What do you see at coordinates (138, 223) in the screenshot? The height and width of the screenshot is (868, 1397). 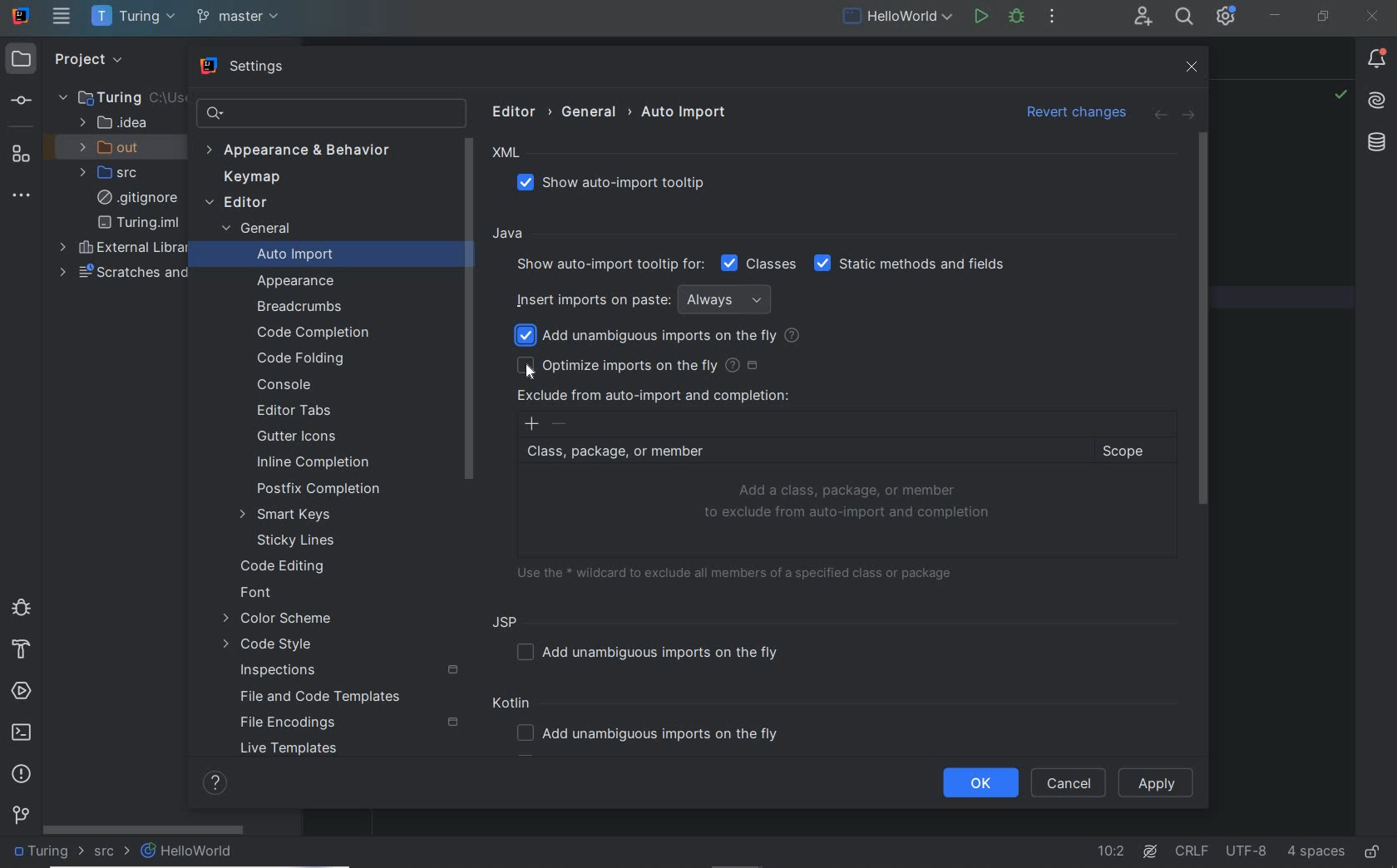 I see `turing.iml` at bounding box center [138, 223].